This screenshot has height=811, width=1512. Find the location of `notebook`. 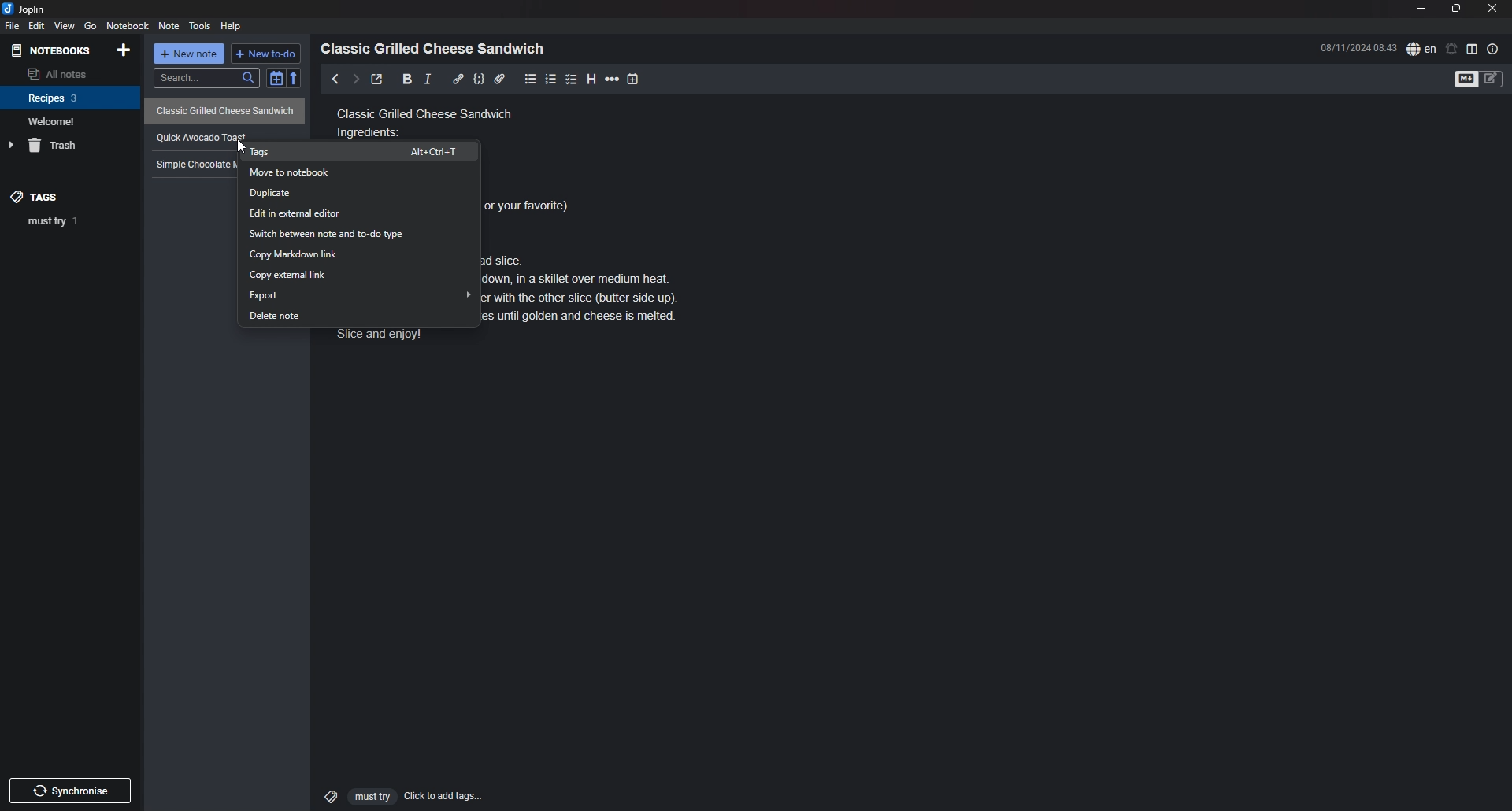

notebook is located at coordinates (71, 97).